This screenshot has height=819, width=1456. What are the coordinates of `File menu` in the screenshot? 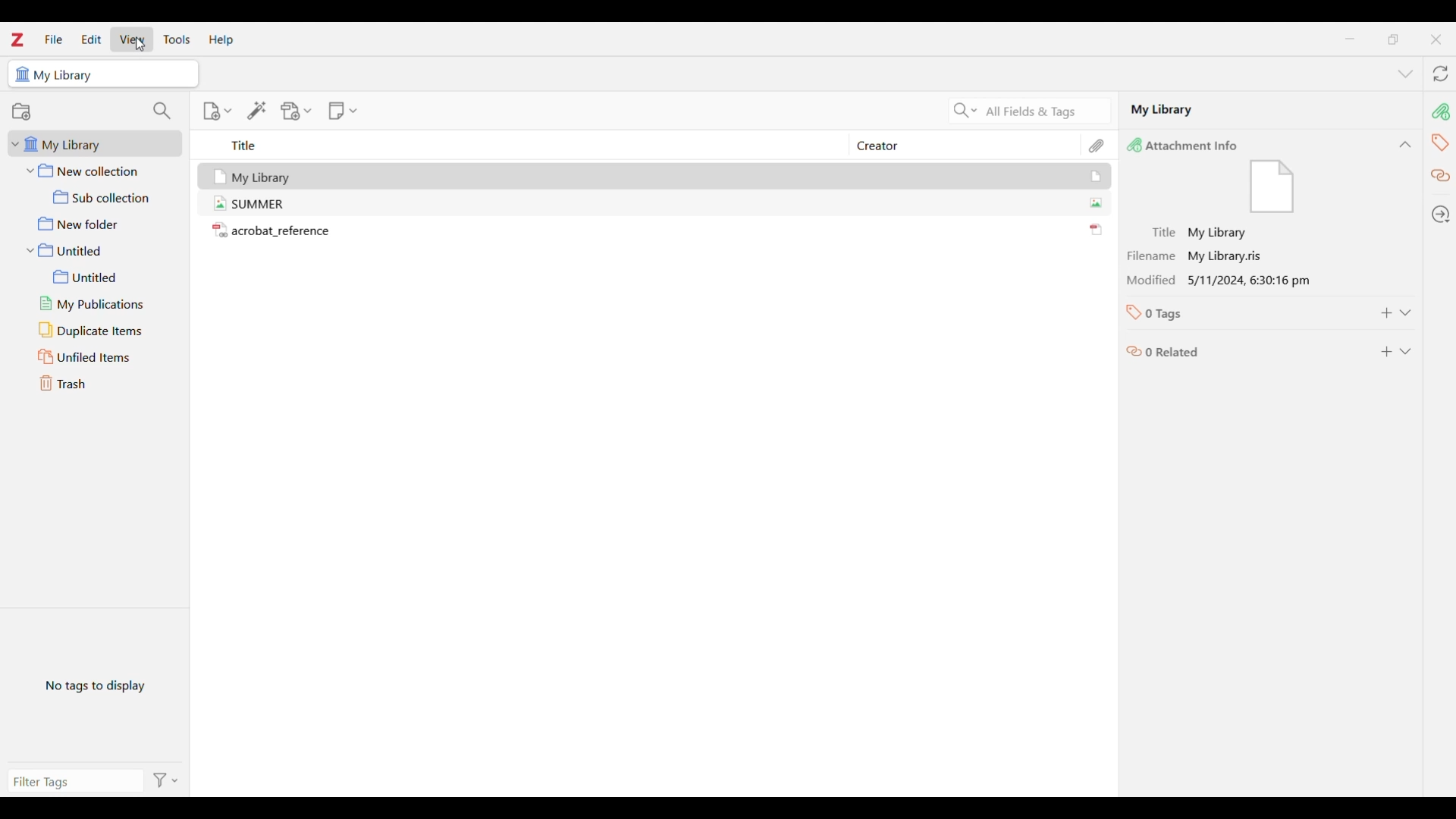 It's located at (54, 39).